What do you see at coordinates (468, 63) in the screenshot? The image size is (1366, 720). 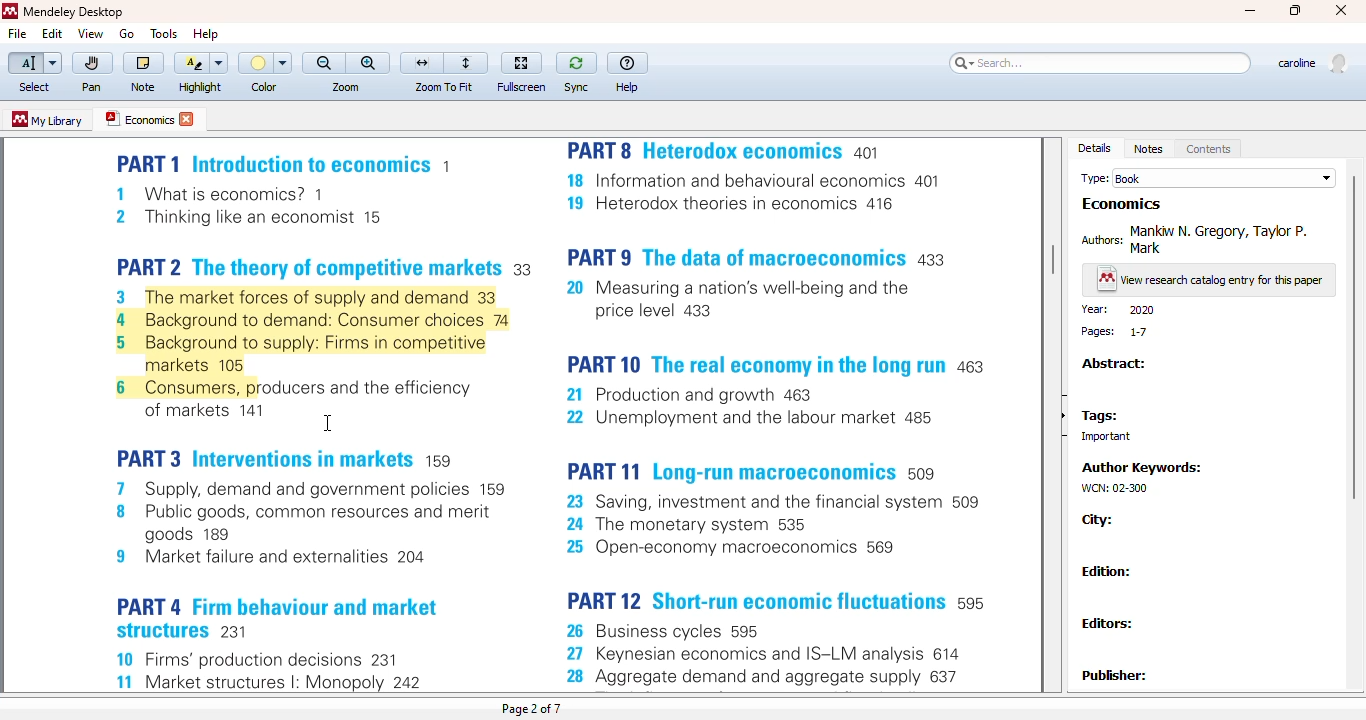 I see `fit to page` at bounding box center [468, 63].